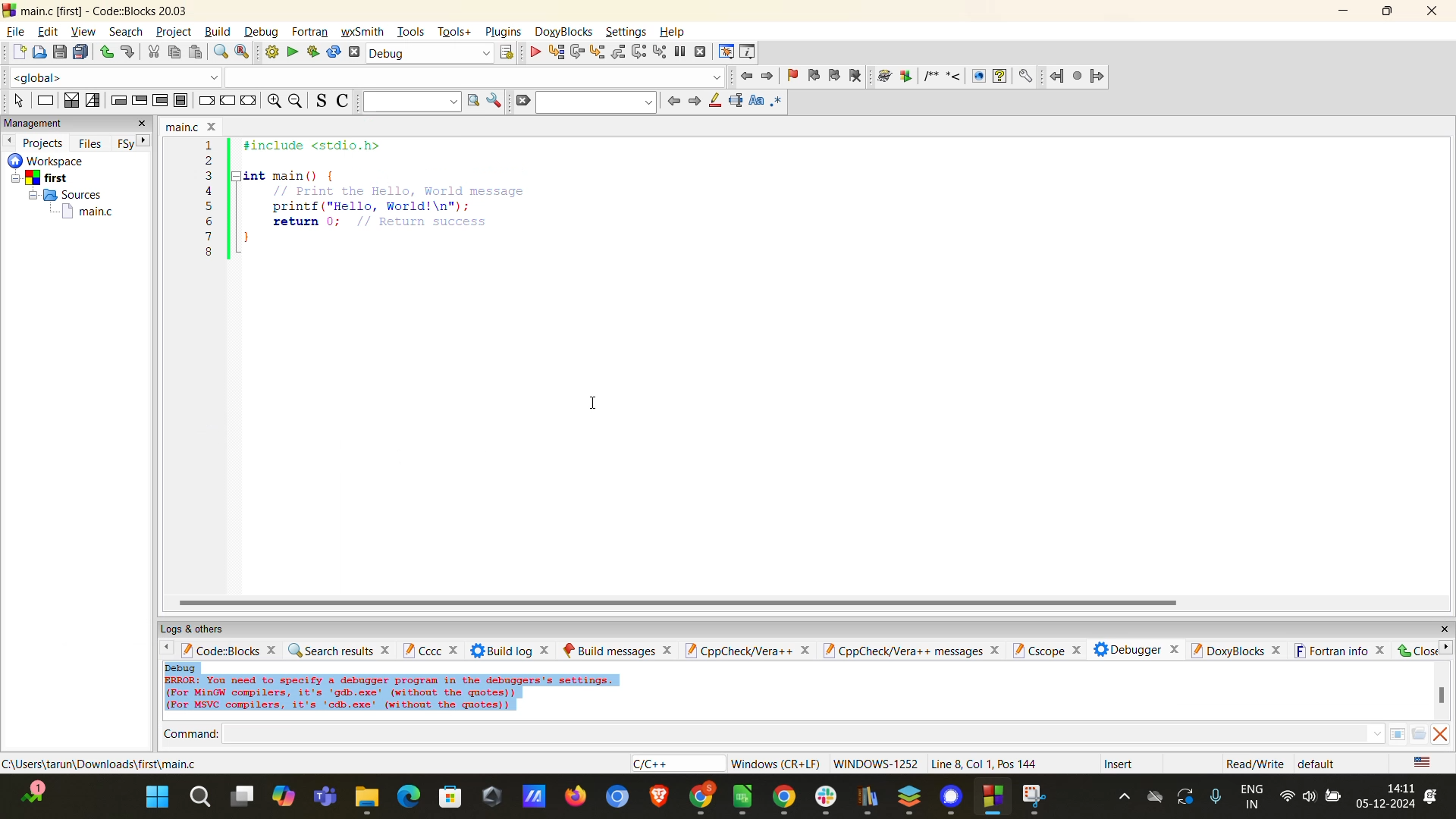 Image resolution: width=1456 pixels, height=819 pixels. What do you see at coordinates (192, 736) in the screenshot?
I see `command` at bounding box center [192, 736].